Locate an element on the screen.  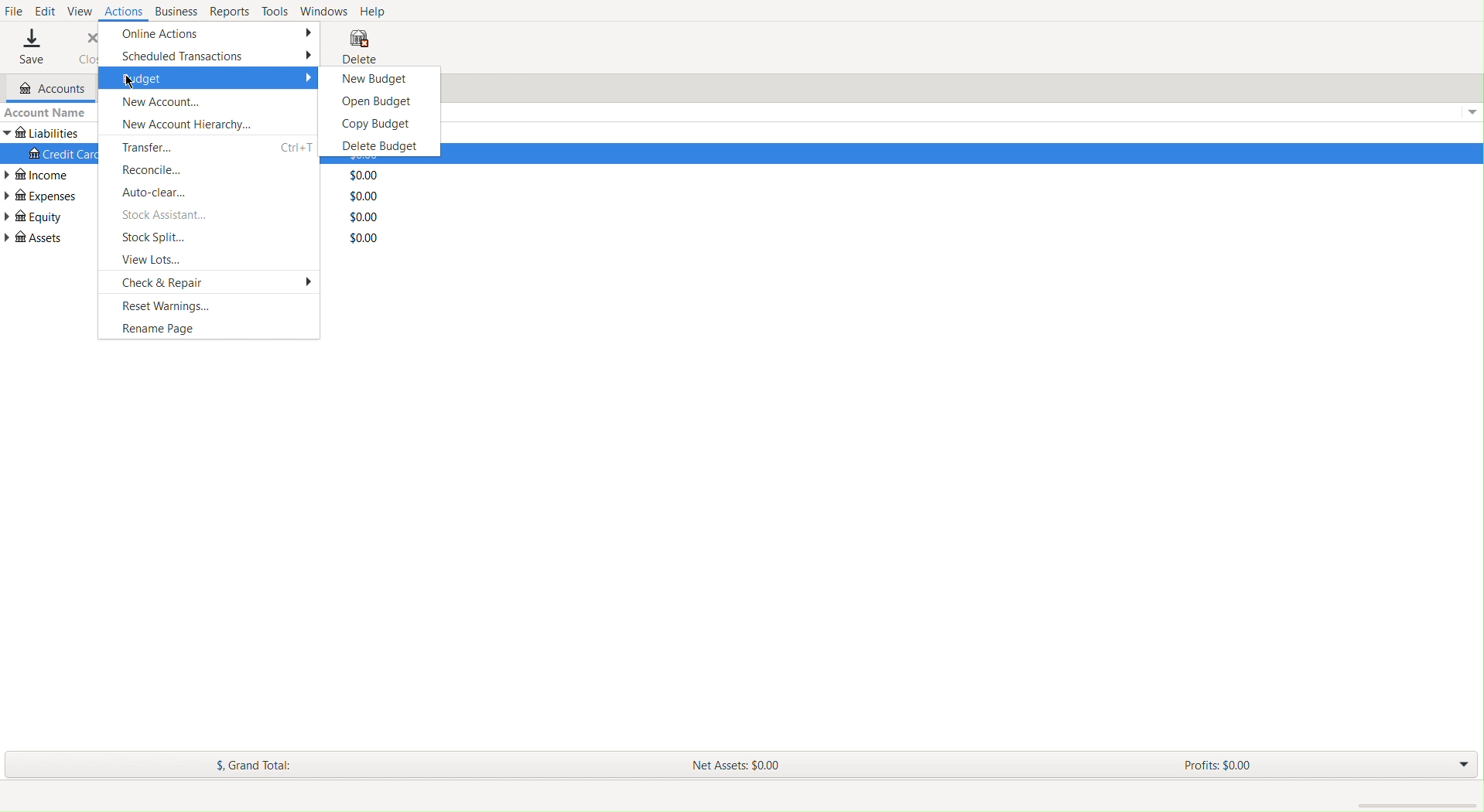
Reset Warnings is located at coordinates (163, 305).